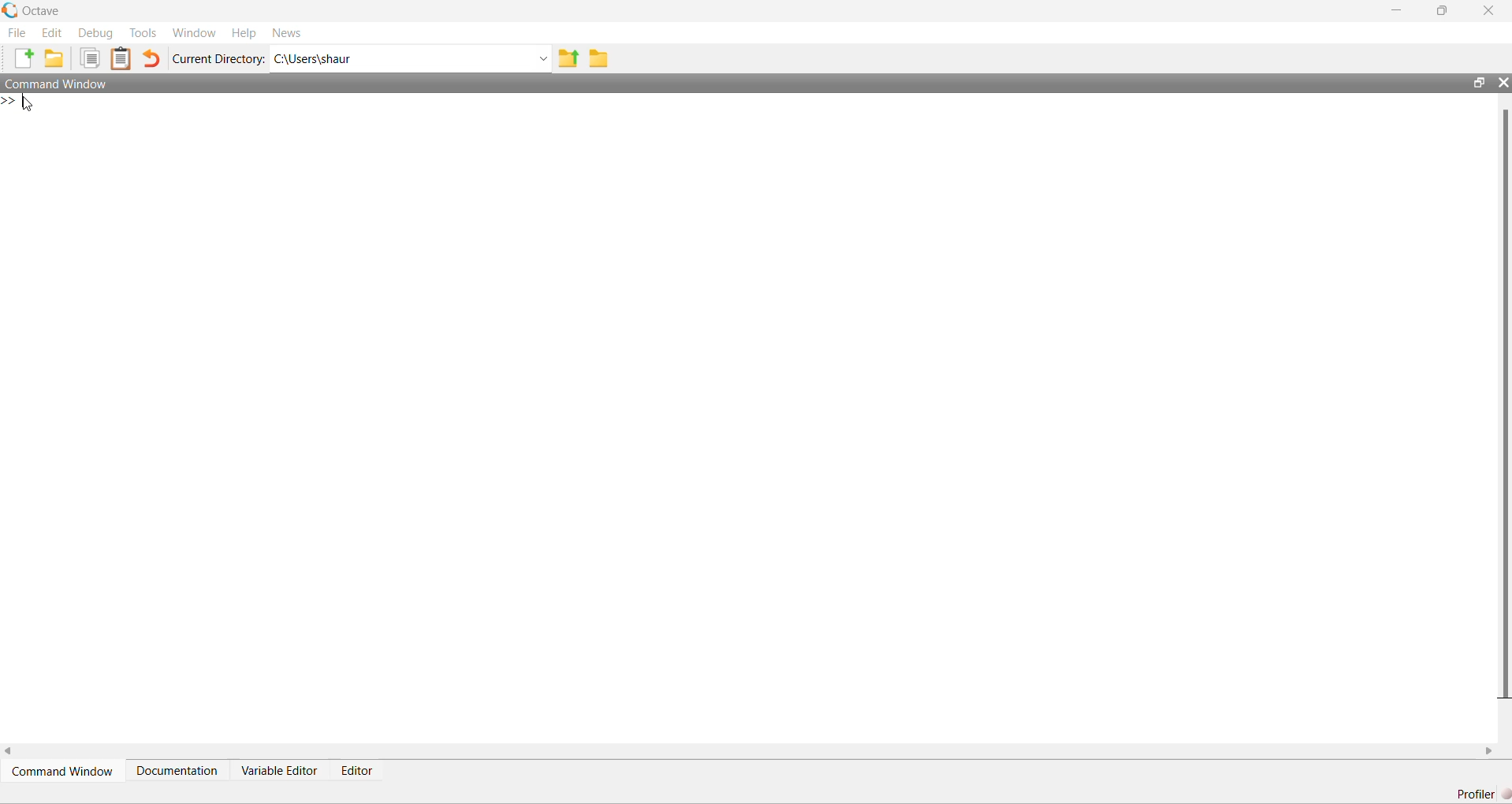 Image resolution: width=1512 pixels, height=804 pixels. Describe the element at coordinates (63, 771) in the screenshot. I see `‘Command Window` at that location.